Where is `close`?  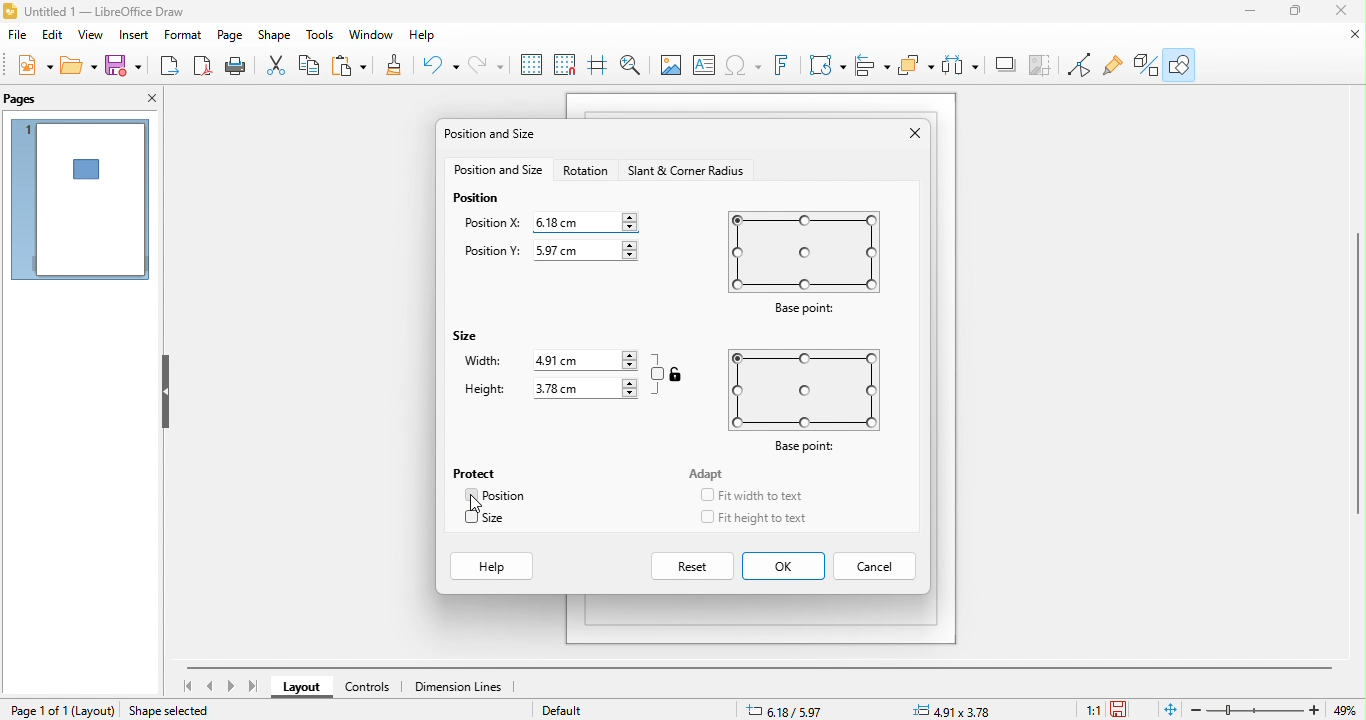 close is located at coordinates (147, 99).